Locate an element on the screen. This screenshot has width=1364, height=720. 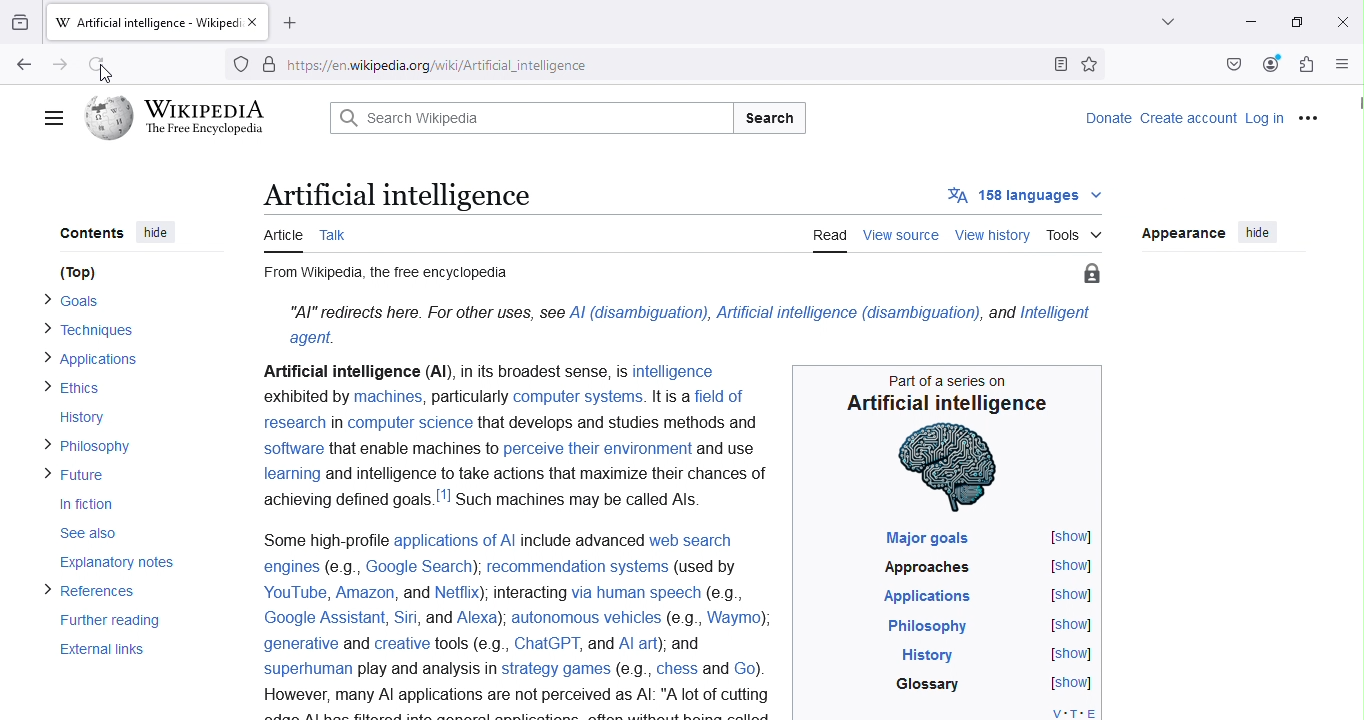
(Top) is located at coordinates (79, 272).